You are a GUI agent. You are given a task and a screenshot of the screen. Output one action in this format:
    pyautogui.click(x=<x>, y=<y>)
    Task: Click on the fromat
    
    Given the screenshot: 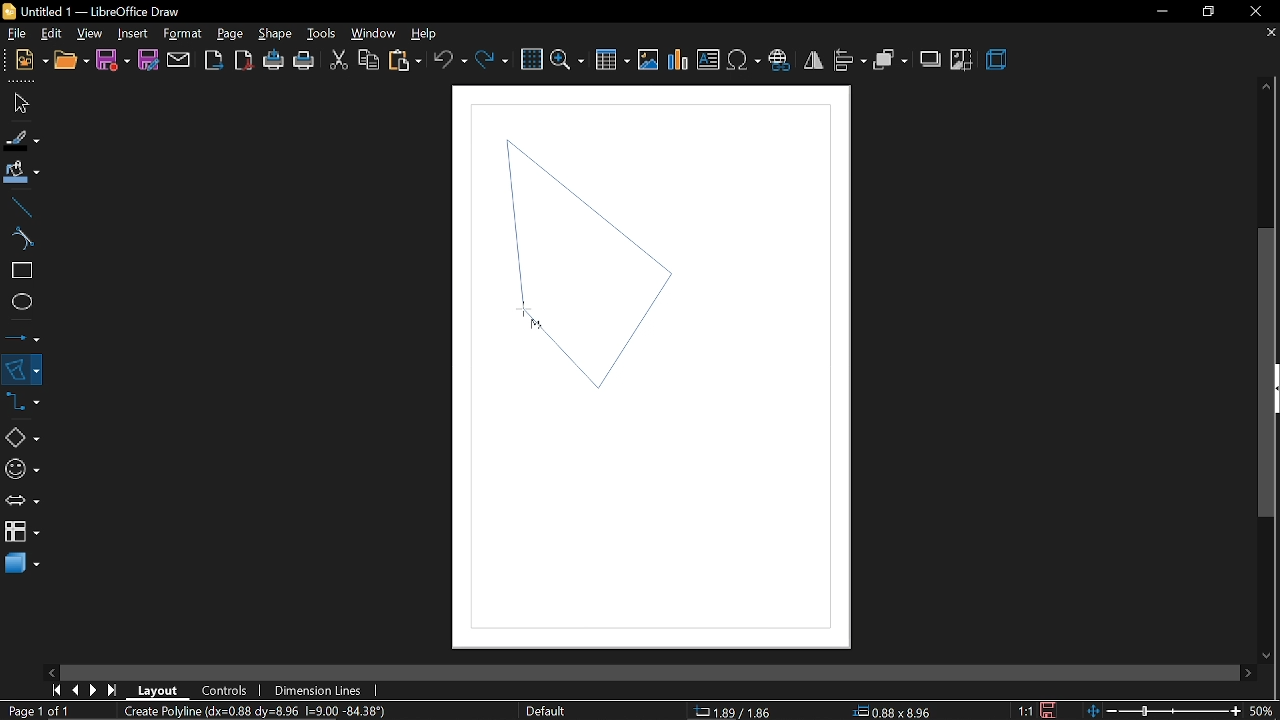 What is the action you would take?
    pyautogui.click(x=182, y=34)
    